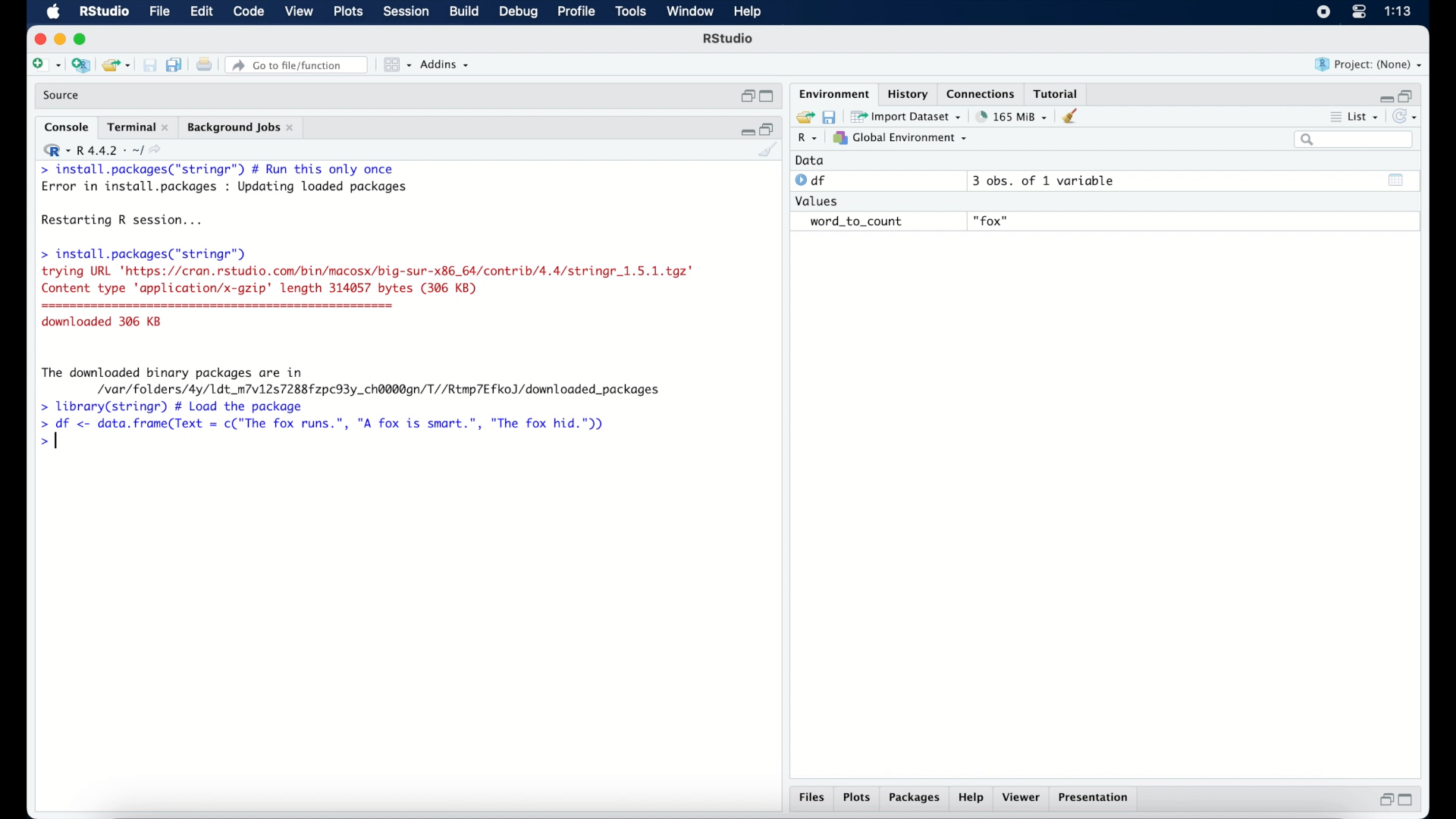 The width and height of the screenshot is (1456, 819). I want to click on save all document, so click(177, 66).